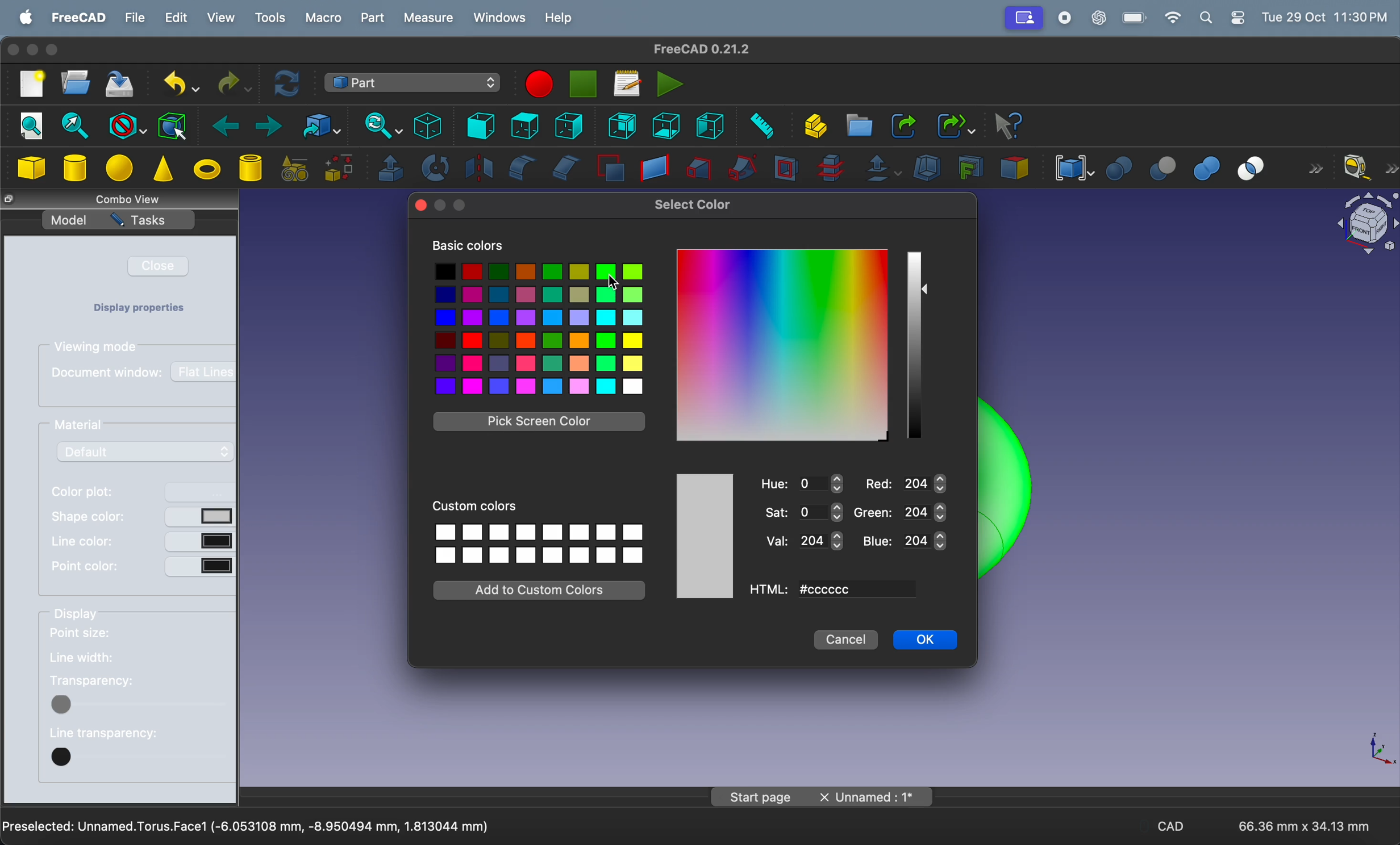 Image resolution: width=1400 pixels, height=845 pixels. What do you see at coordinates (264, 125) in the screenshot?
I see `forward ` at bounding box center [264, 125].